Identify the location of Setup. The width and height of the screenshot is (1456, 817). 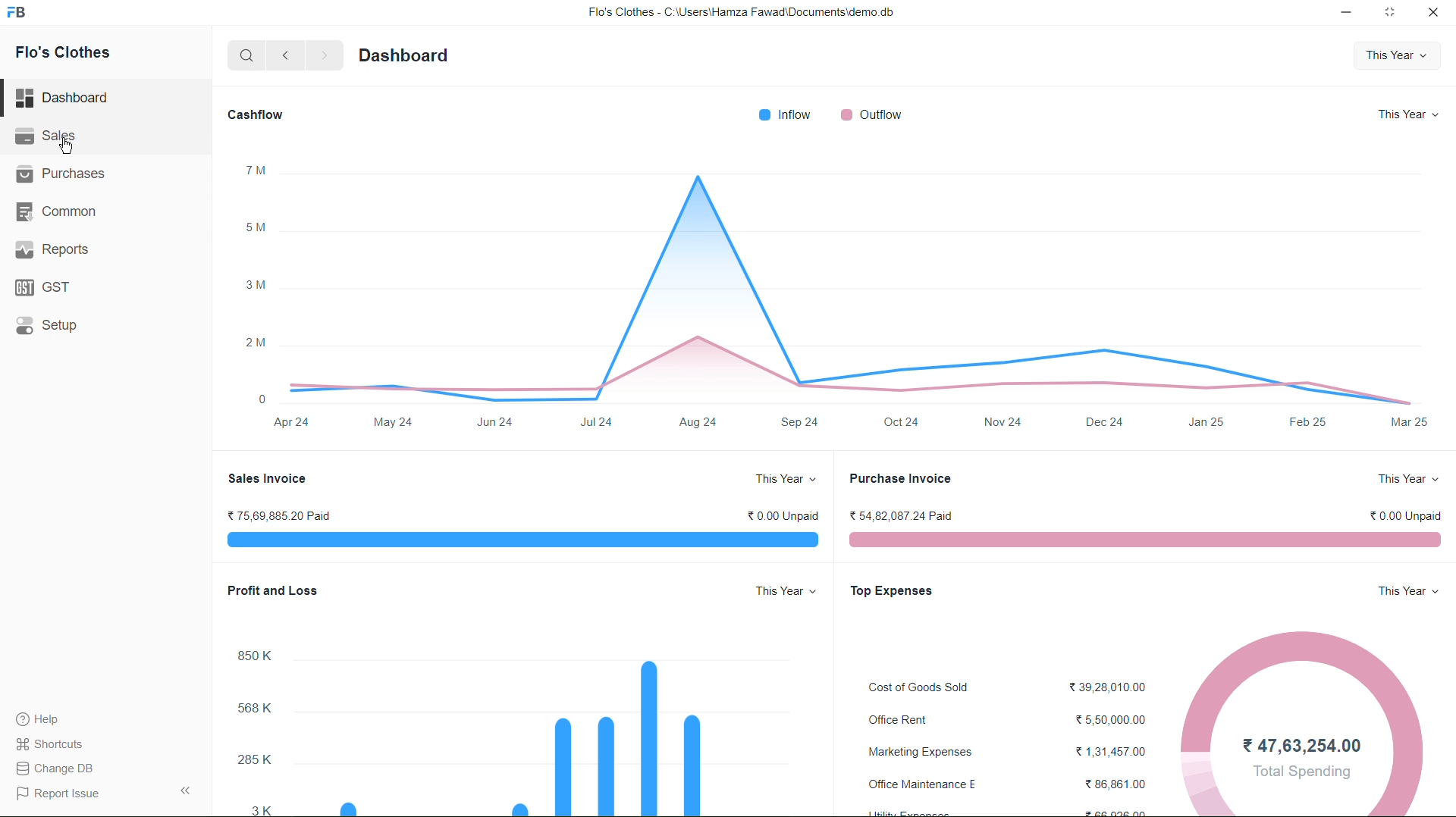
(49, 324).